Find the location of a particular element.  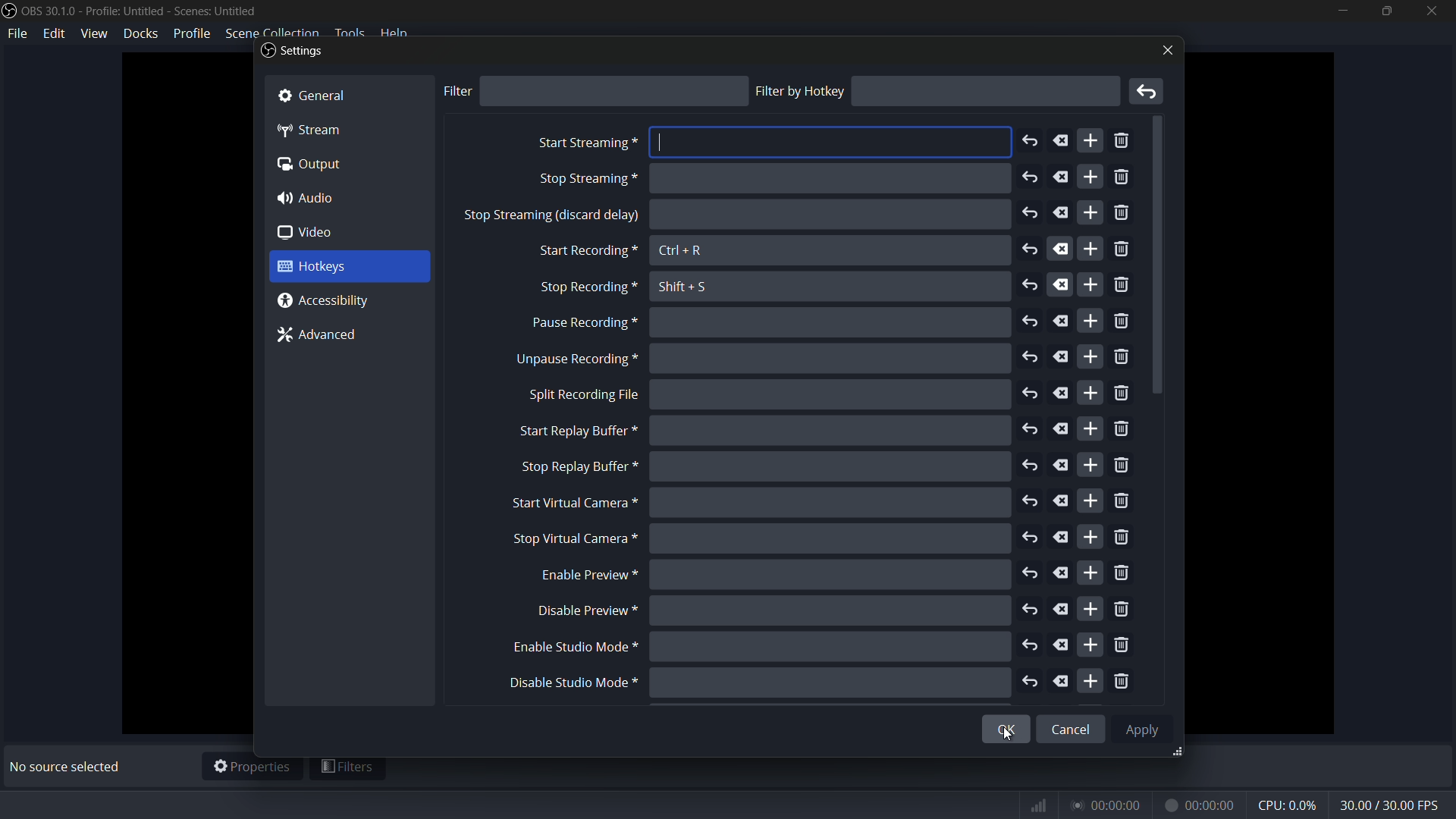

delete is located at coordinates (1062, 356).